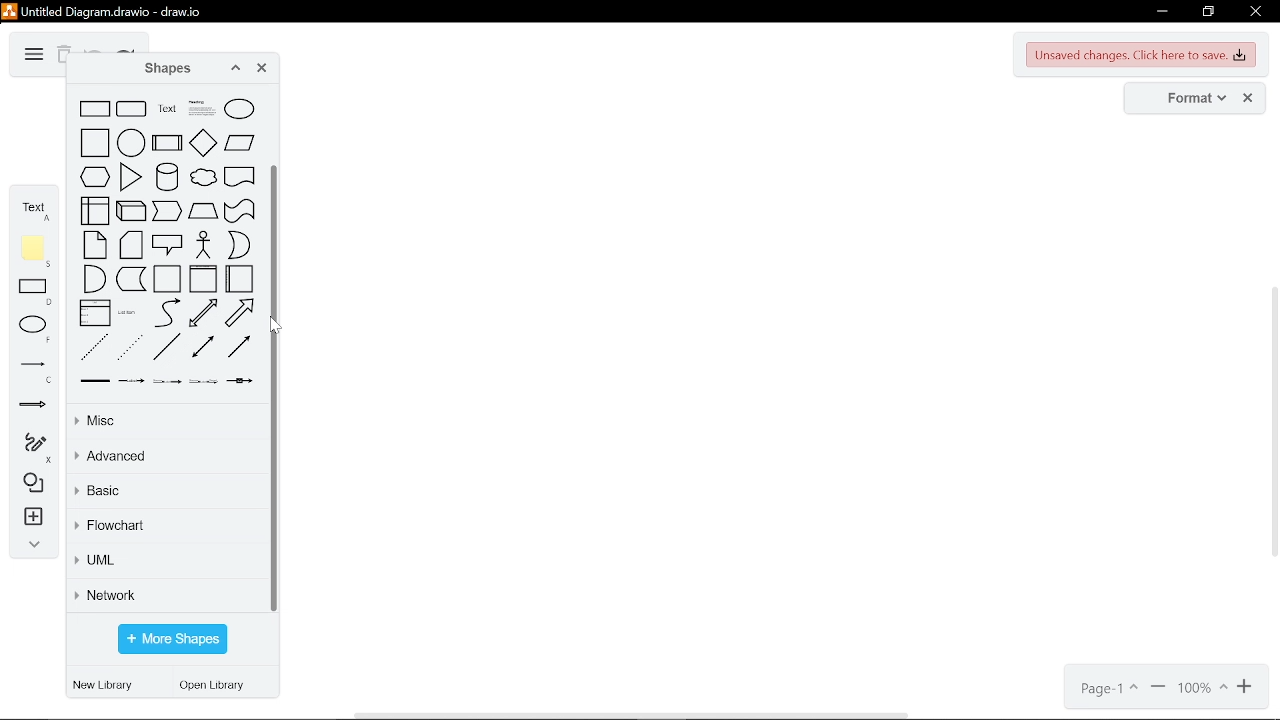  What do you see at coordinates (203, 142) in the screenshot?
I see `diamond` at bounding box center [203, 142].